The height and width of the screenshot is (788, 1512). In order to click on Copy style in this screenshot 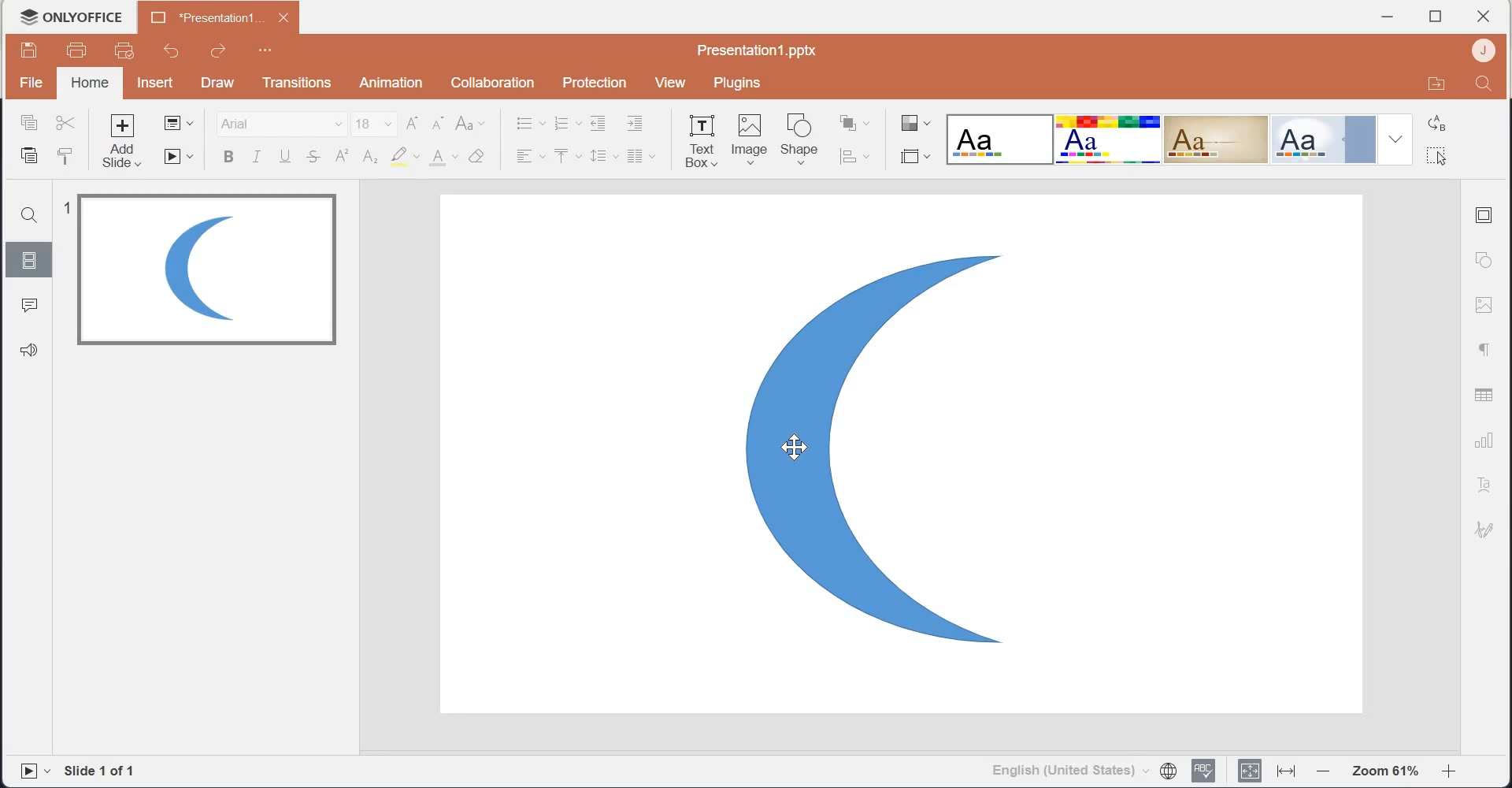, I will do `click(70, 158)`.